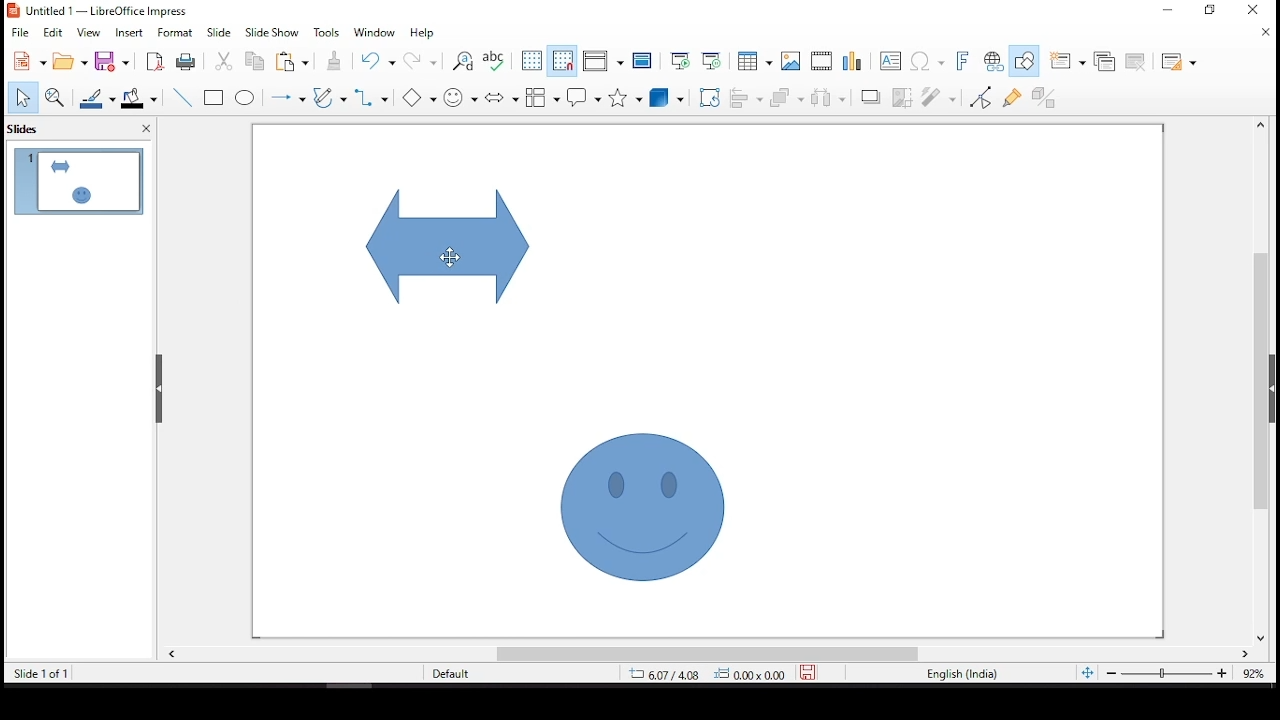 The image size is (1280, 720). I want to click on lines and arrows, so click(291, 97).